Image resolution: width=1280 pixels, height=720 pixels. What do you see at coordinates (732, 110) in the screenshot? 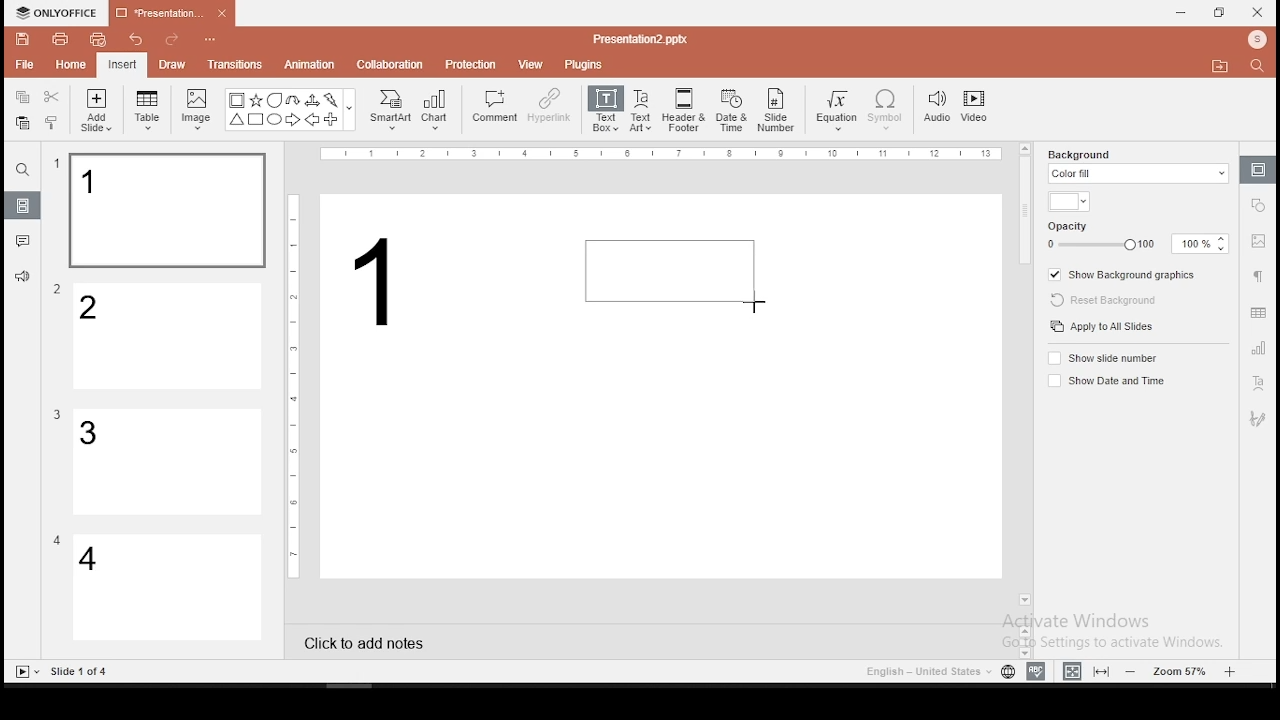
I see `date and time` at bounding box center [732, 110].